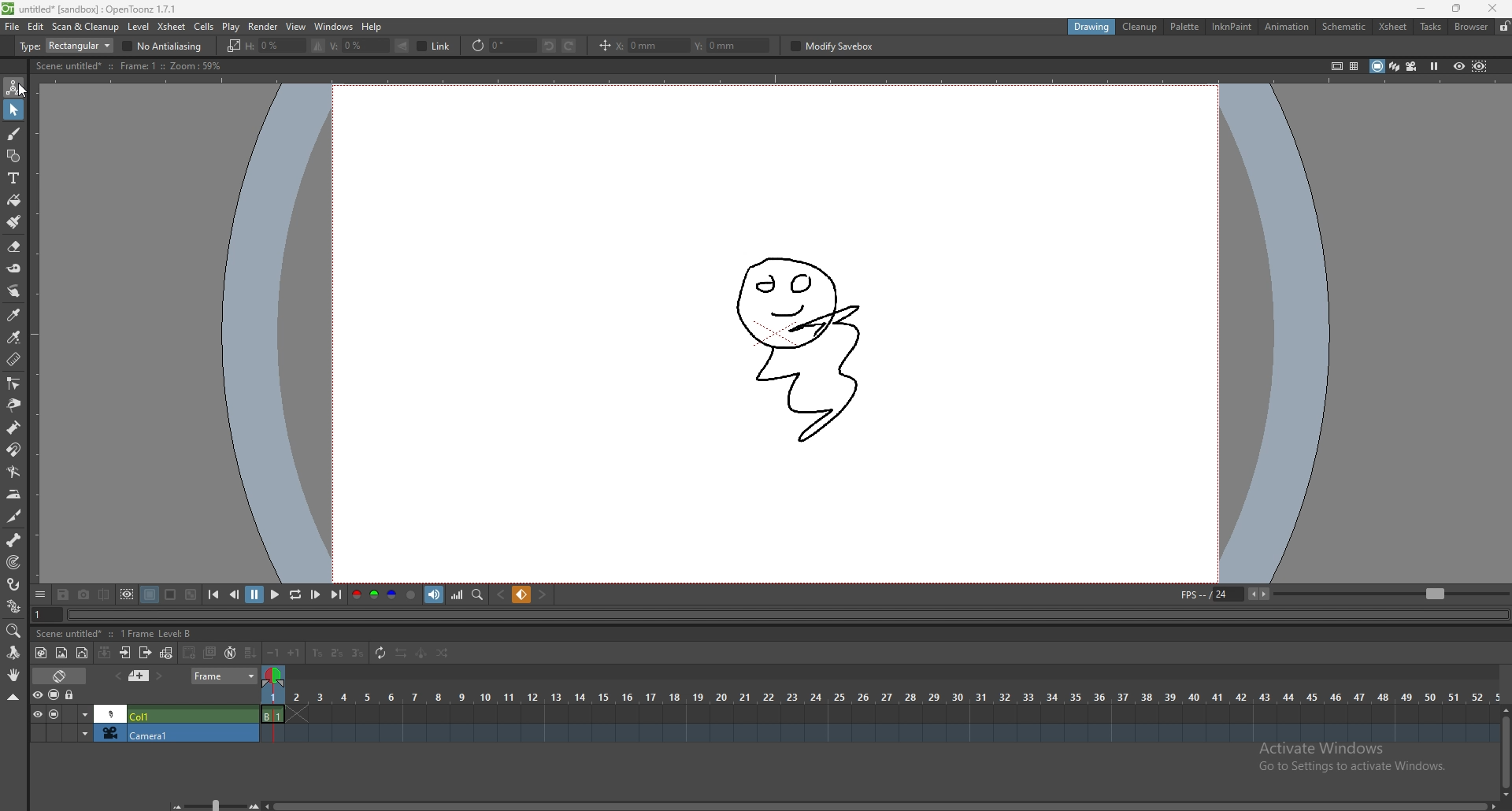  Describe the element at coordinates (253, 654) in the screenshot. I see `fill in empty cells` at that location.